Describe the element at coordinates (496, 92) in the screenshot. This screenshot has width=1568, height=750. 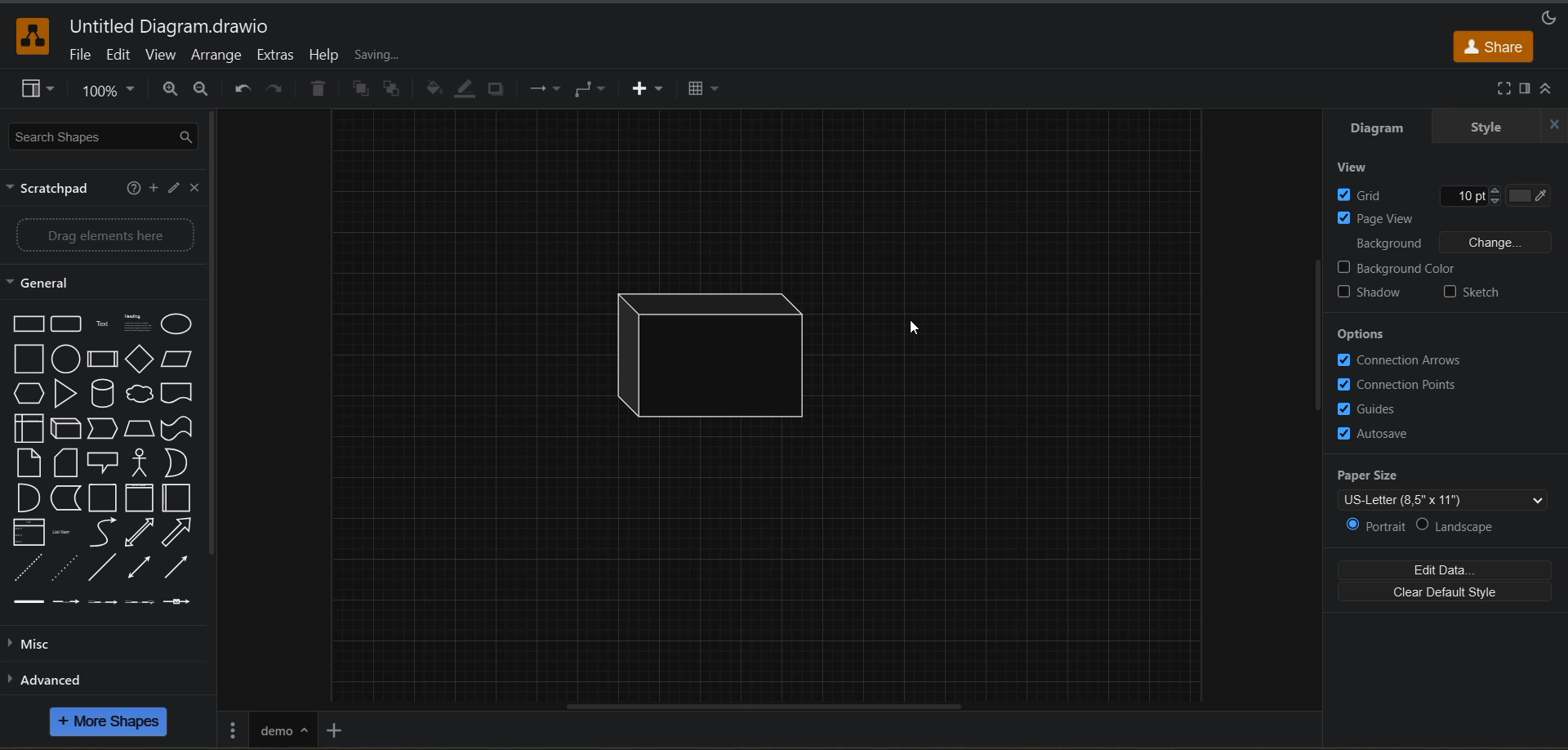
I see `shadow` at that location.